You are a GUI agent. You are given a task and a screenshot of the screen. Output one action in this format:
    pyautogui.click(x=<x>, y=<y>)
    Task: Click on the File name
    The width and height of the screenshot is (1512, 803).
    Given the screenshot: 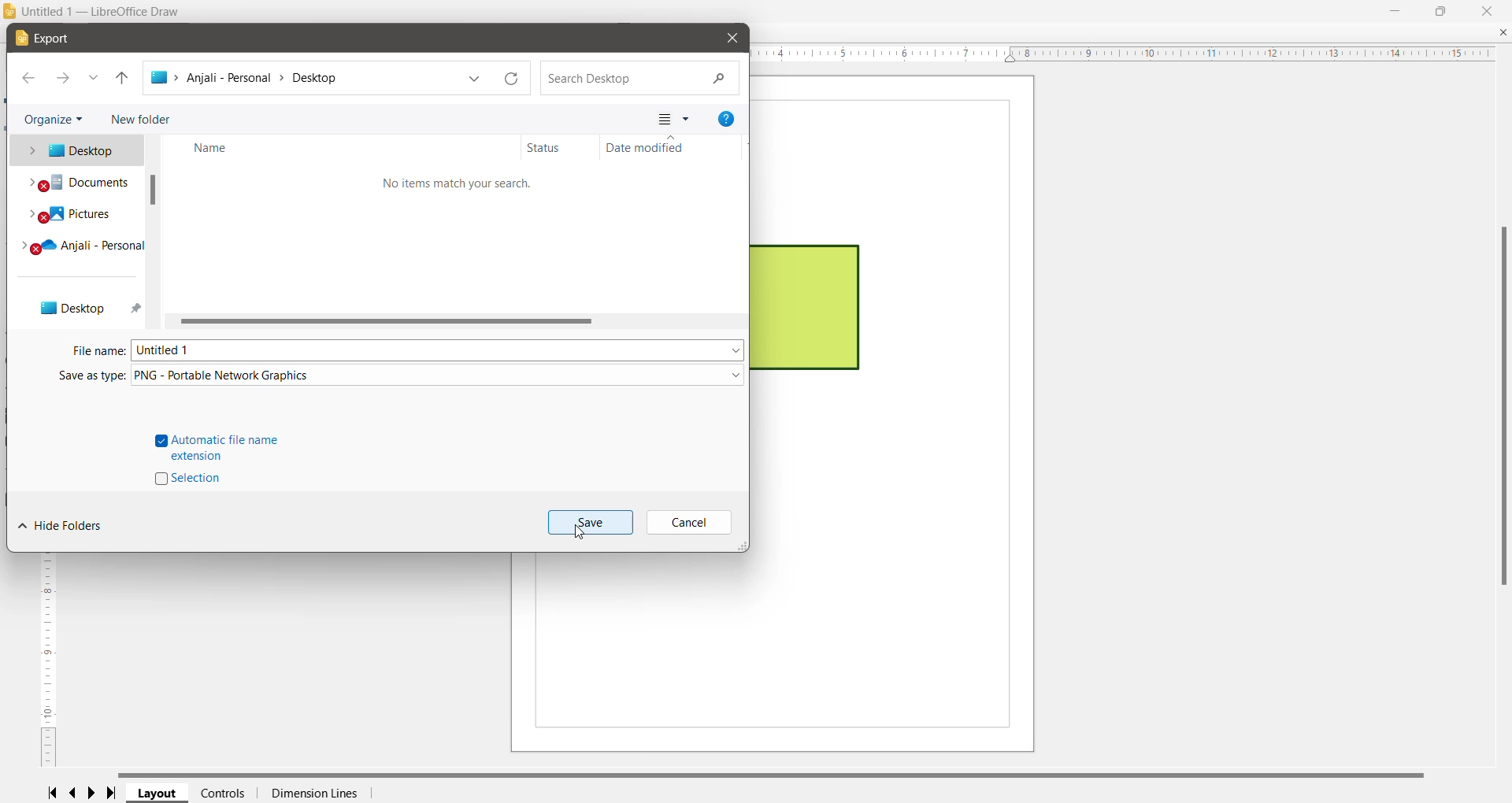 What is the action you would take?
    pyautogui.click(x=98, y=352)
    